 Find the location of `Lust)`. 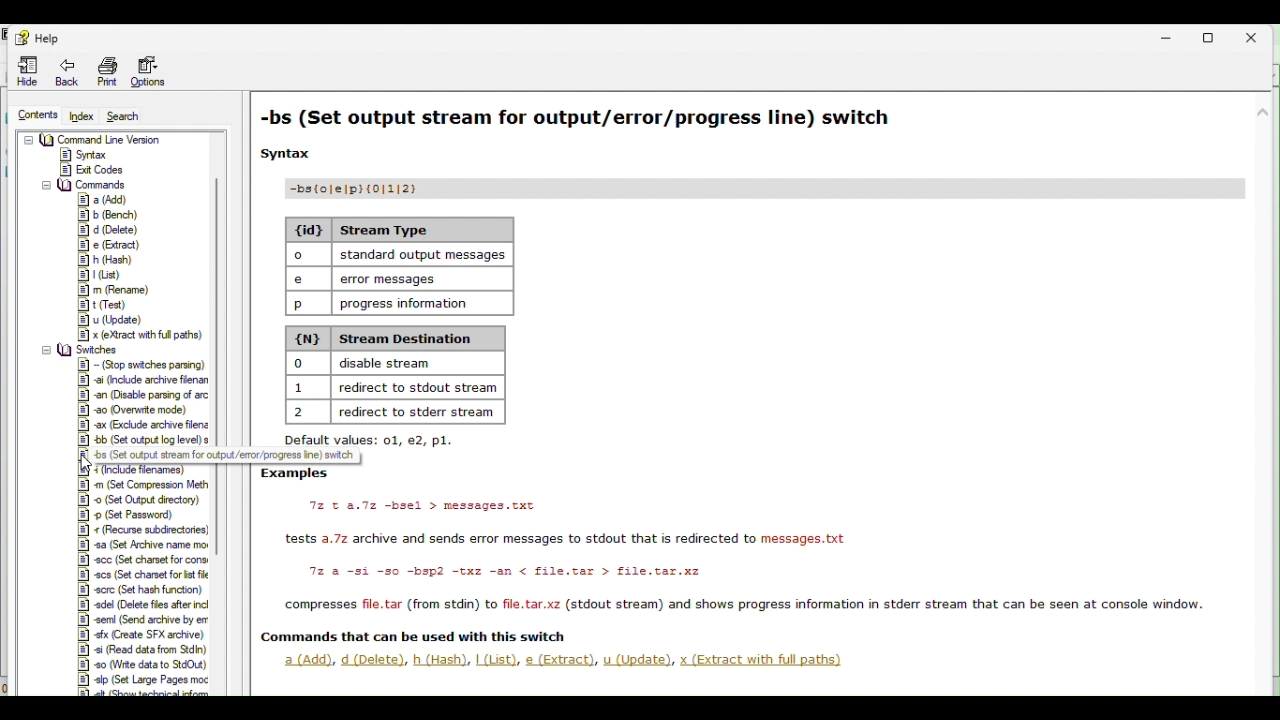

Lust) is located at coordinates (496, 660).